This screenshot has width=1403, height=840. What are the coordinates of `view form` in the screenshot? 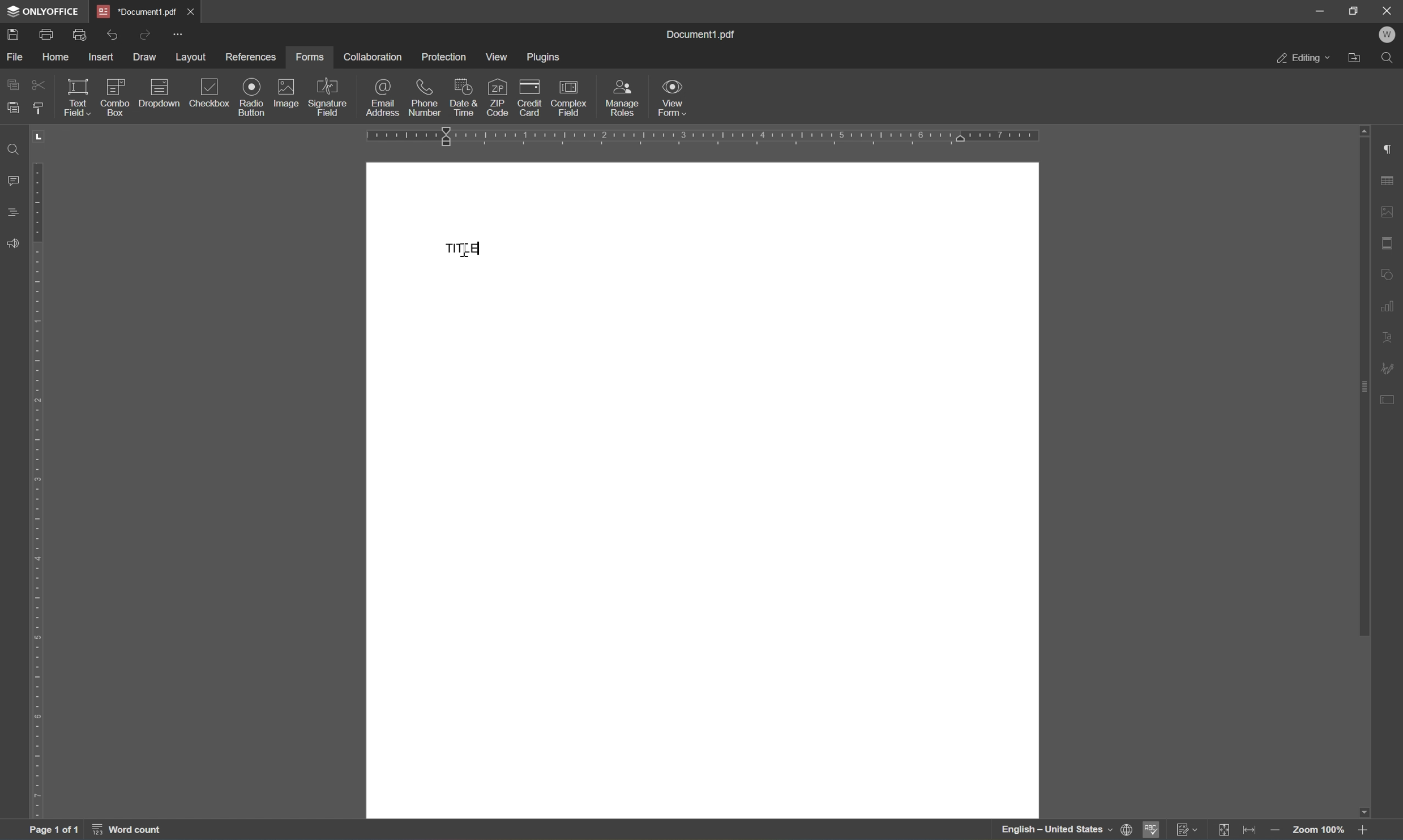 It's located at (675, 98).